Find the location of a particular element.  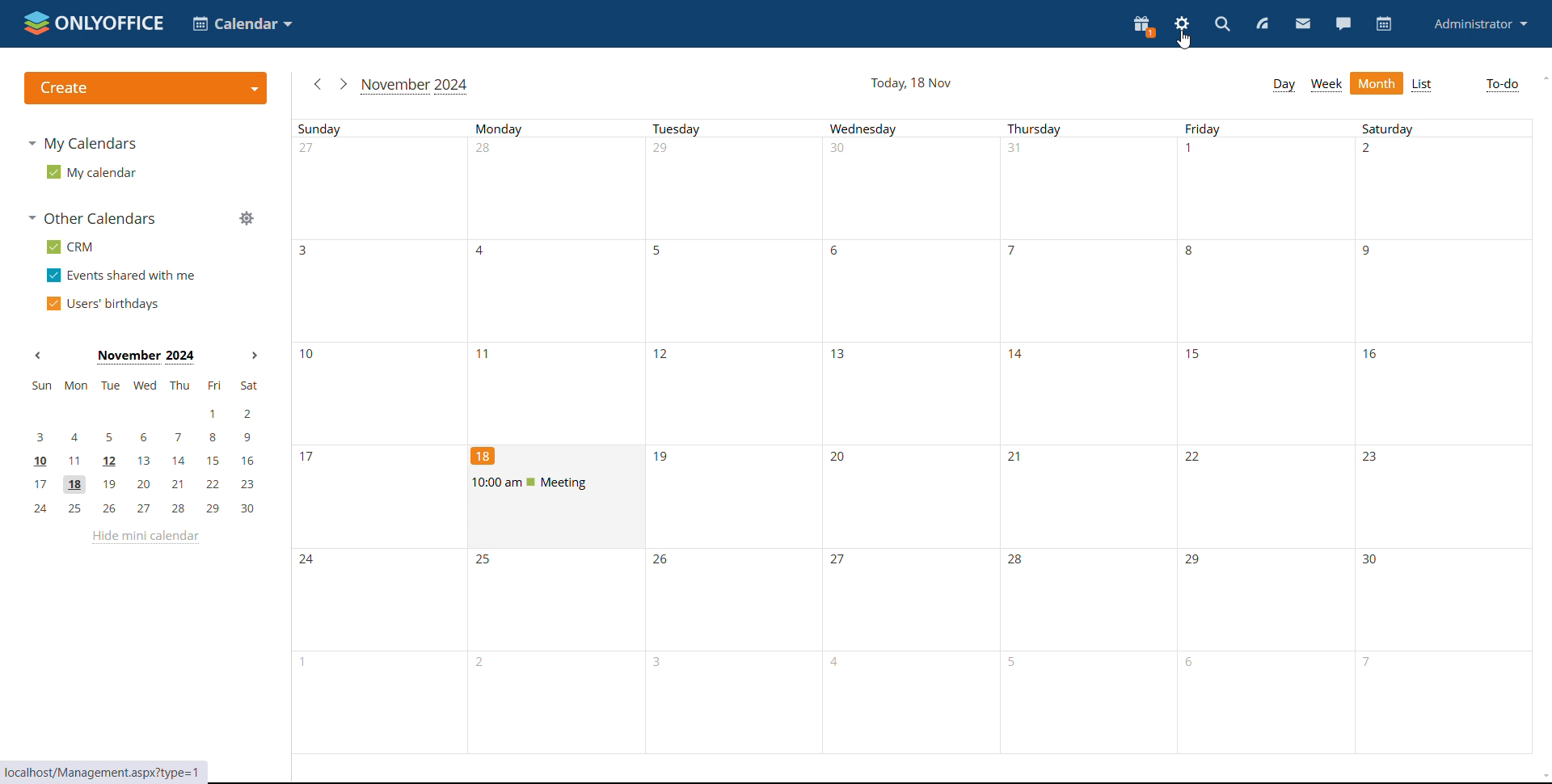

wednesday is located at coordinates (912, 436).